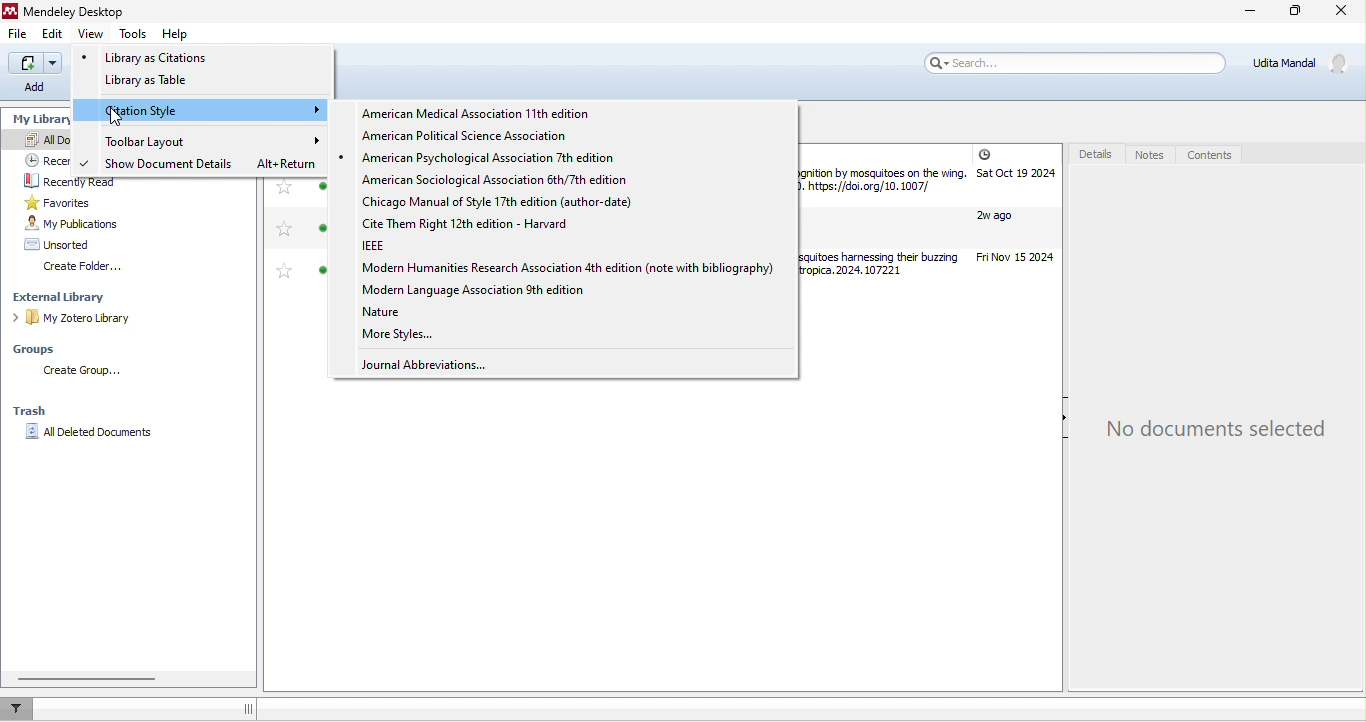 This screenshot has height=722, width=1366. Describe the element at coordinates (134, 36) in the screenshot. I see `tools` at that location.